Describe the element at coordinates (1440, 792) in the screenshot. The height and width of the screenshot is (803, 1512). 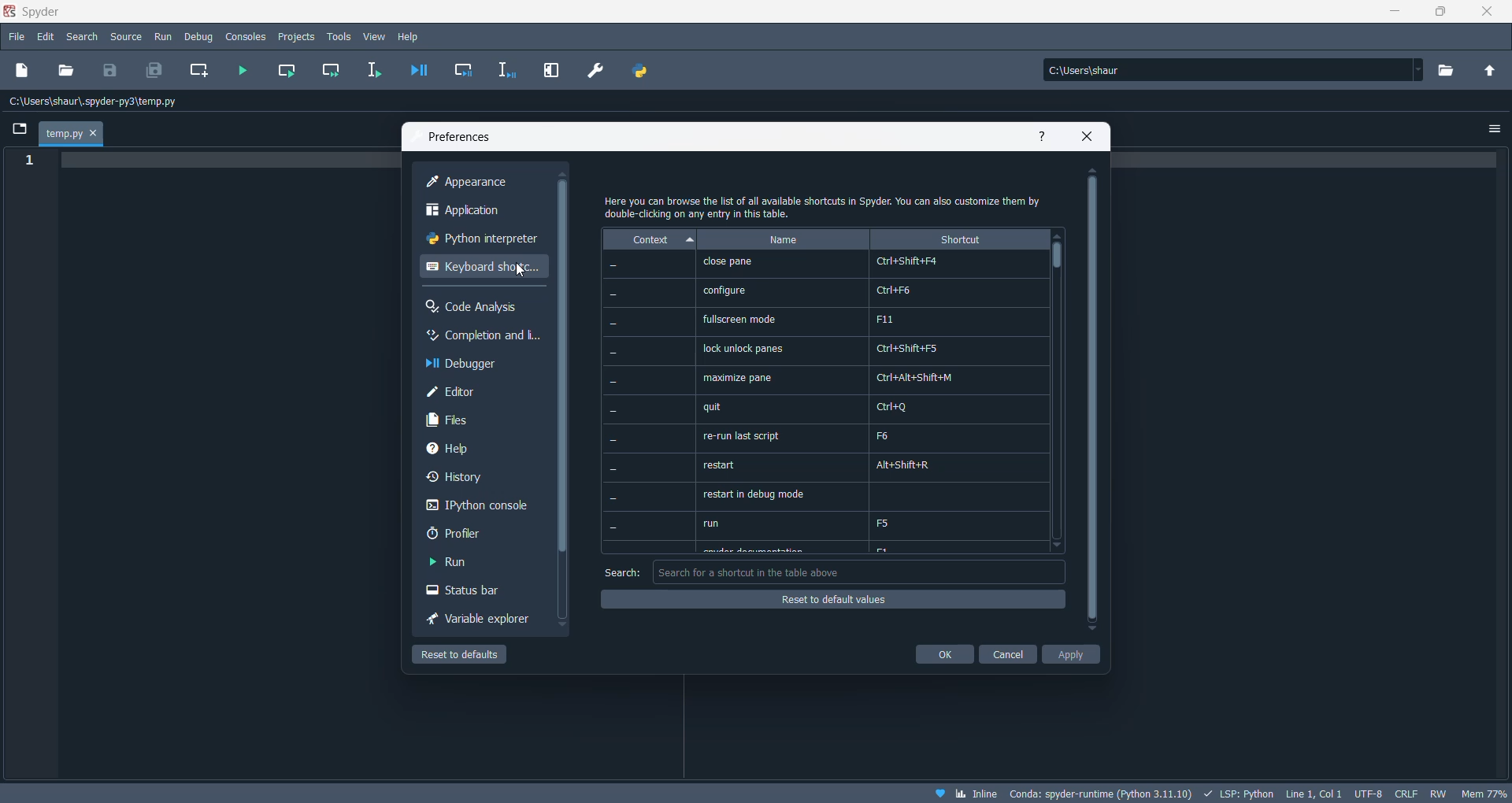
I see `file permission` at that location.